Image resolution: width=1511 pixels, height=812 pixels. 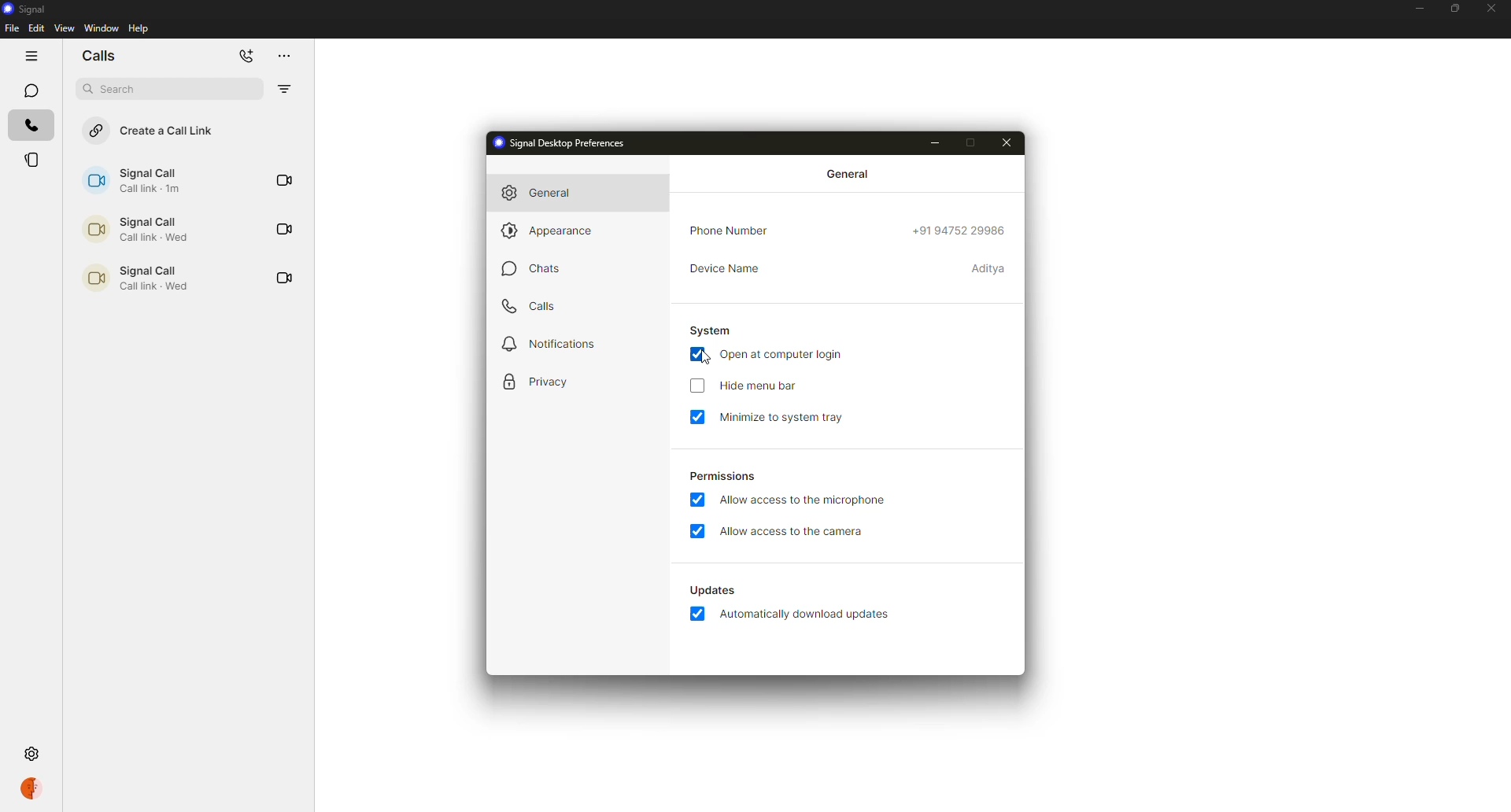 I want to click on minimize to system tray, so click(x=782, y=418).